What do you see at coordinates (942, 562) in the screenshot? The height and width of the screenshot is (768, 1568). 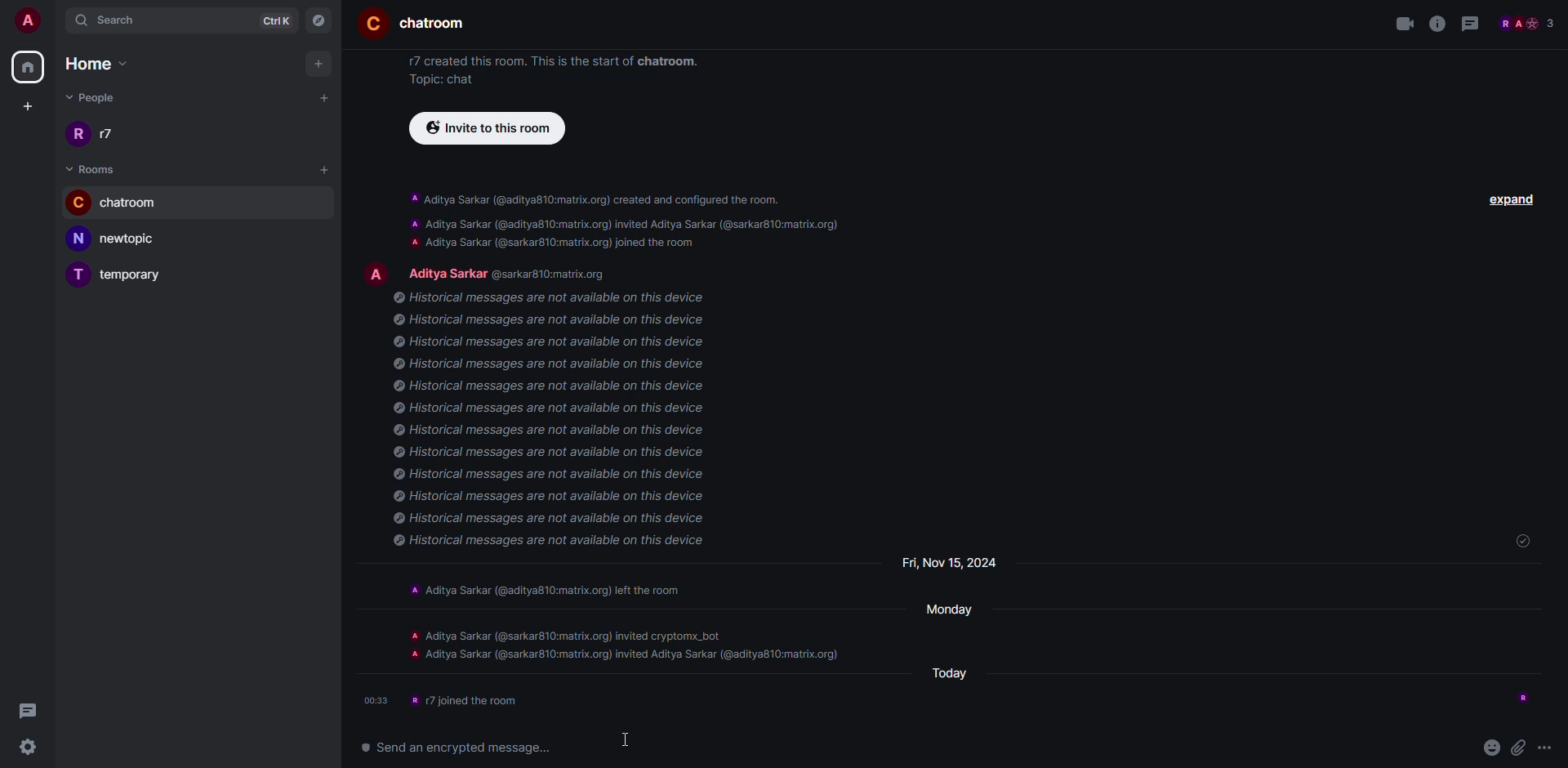 I see `day` at bounding box center [942, 562].